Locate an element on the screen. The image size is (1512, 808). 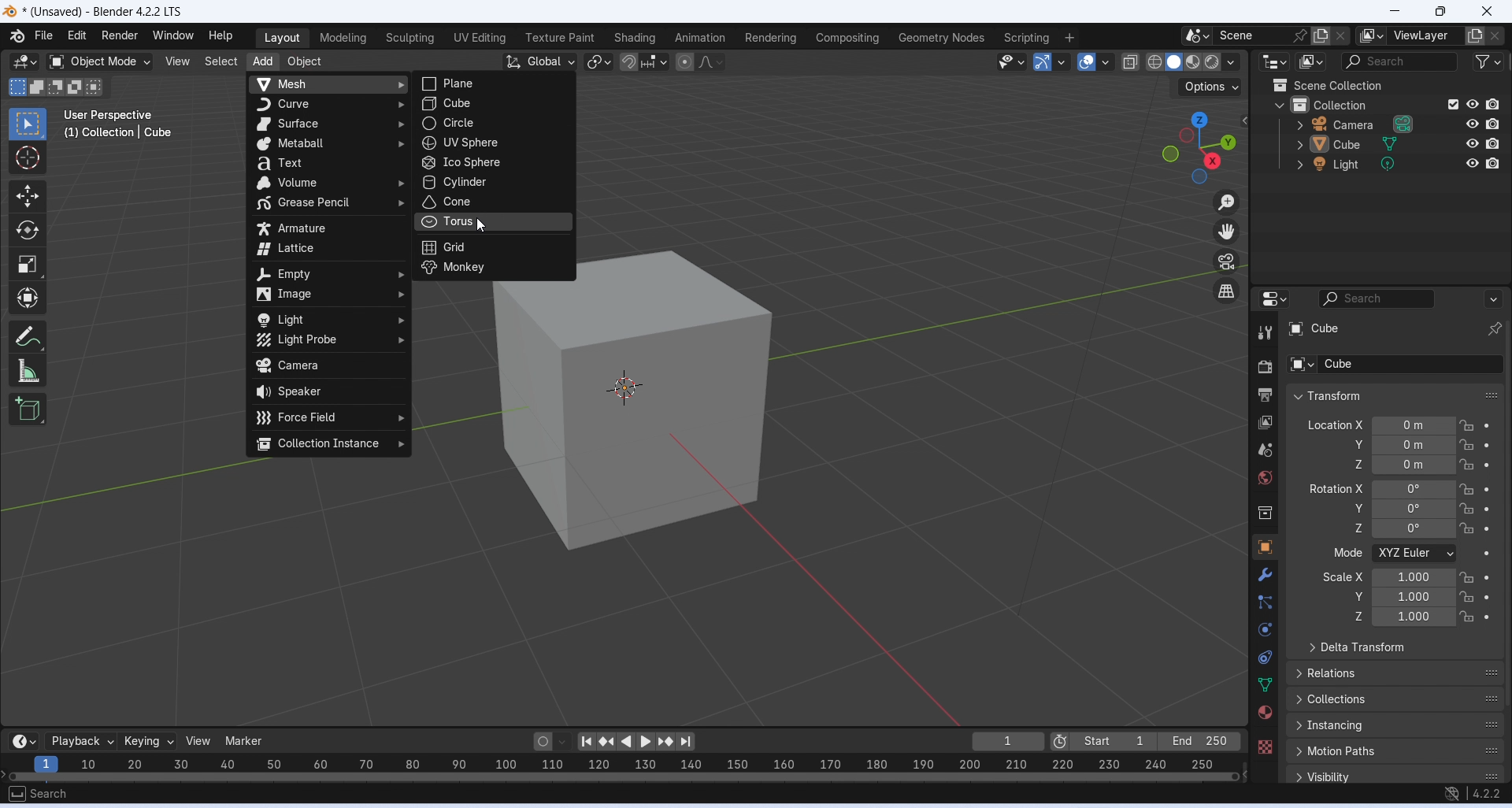
Move is located at coordinates (27, 197).